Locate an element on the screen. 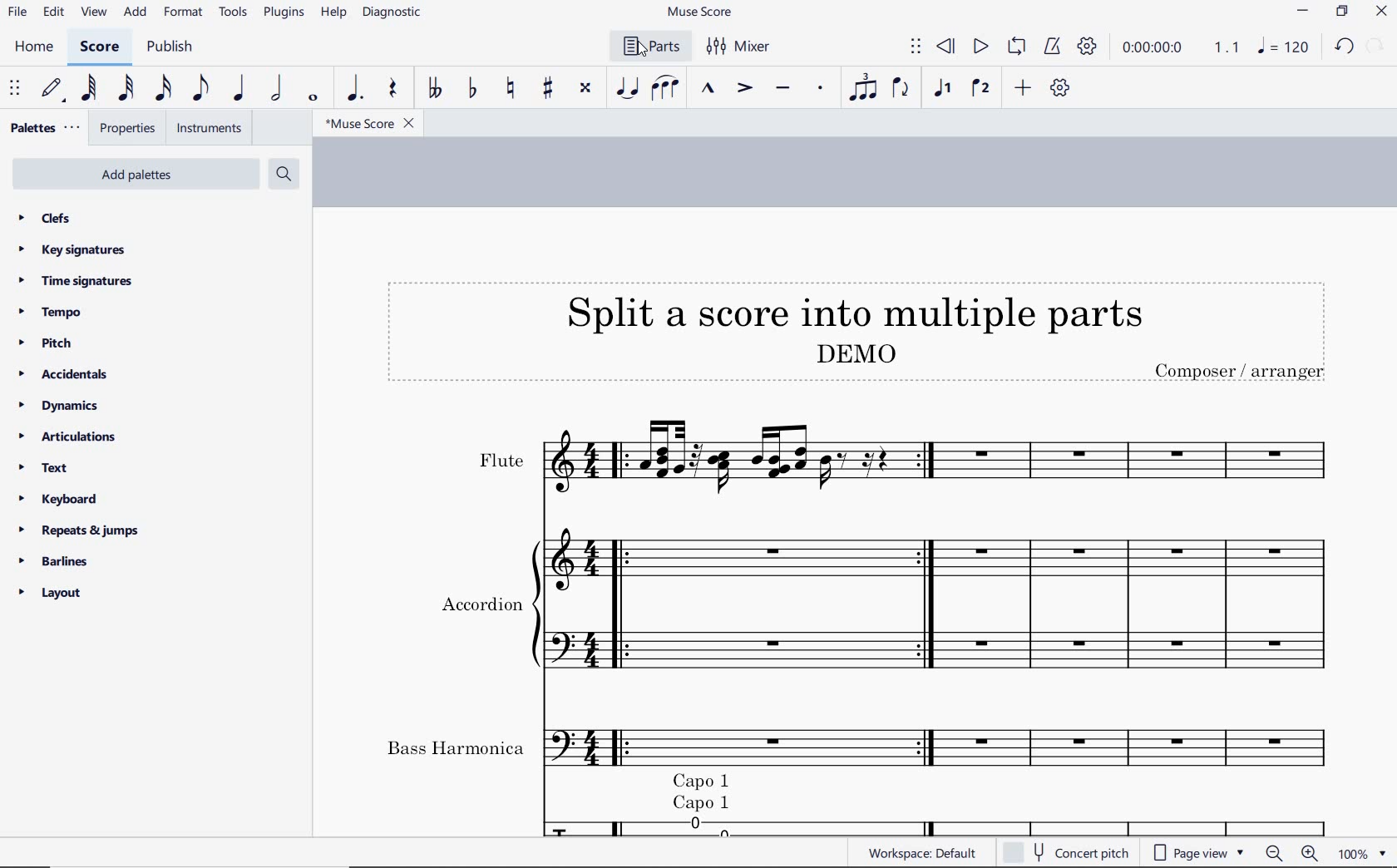 Image resolution: width=1397 pixels, height=868 pixels. UNDO is located at coordinates (1344, 48).